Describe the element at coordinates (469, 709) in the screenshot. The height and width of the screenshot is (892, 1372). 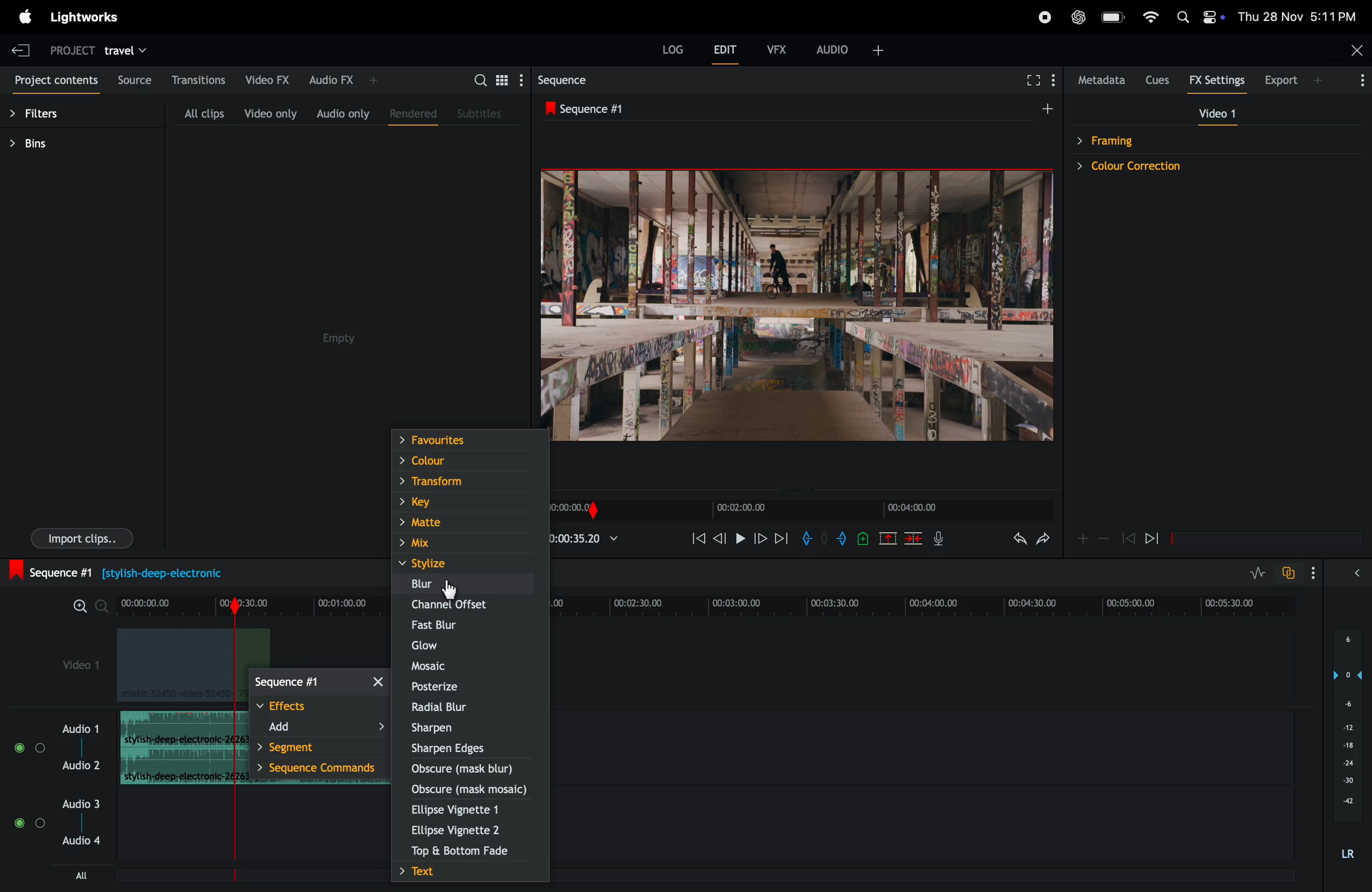
I see `radial blur` at that location.